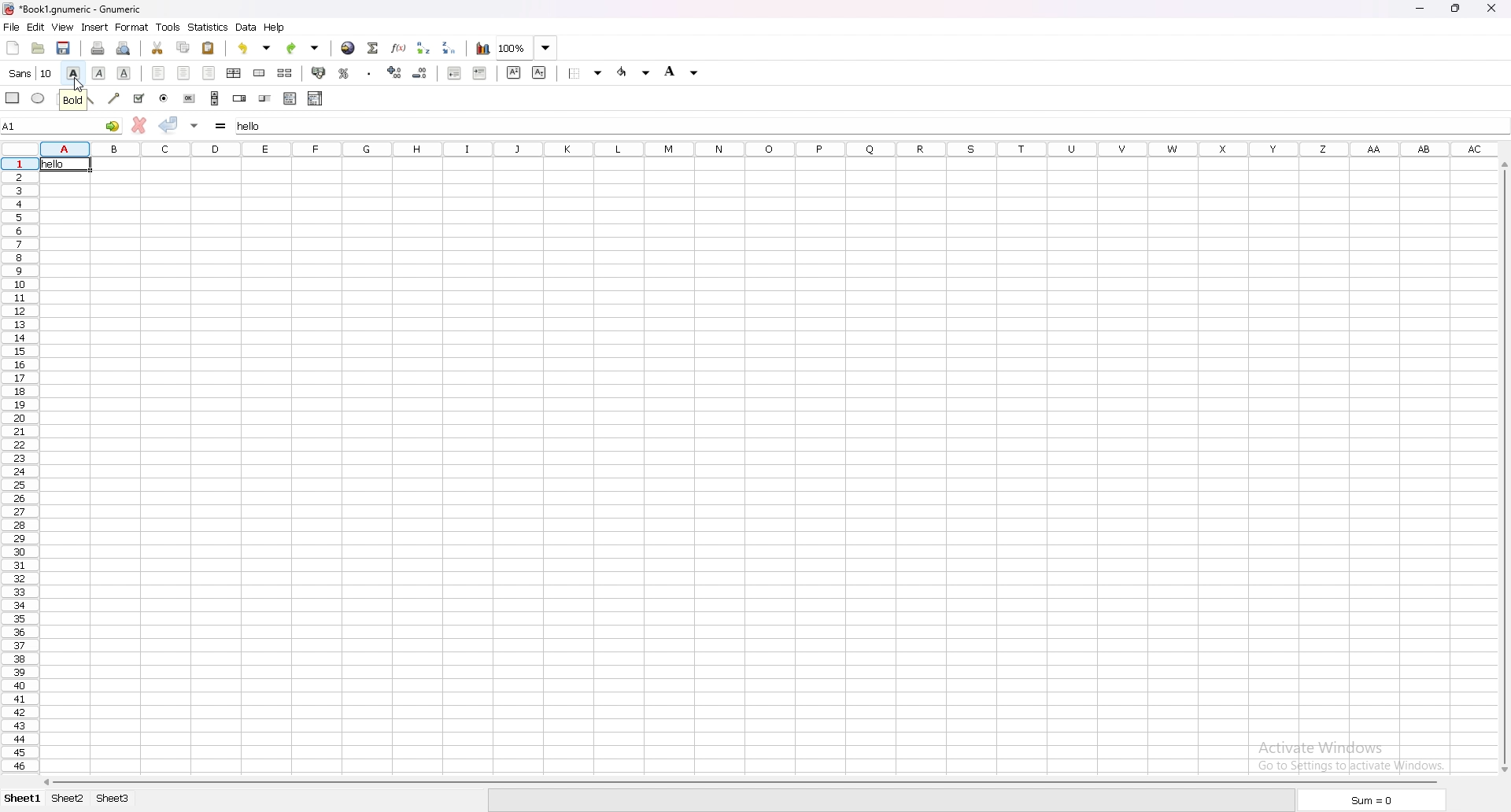 Image resolution: width=1511 pixels, height=812 pixels. I want to click on hello, so click(66, 164).